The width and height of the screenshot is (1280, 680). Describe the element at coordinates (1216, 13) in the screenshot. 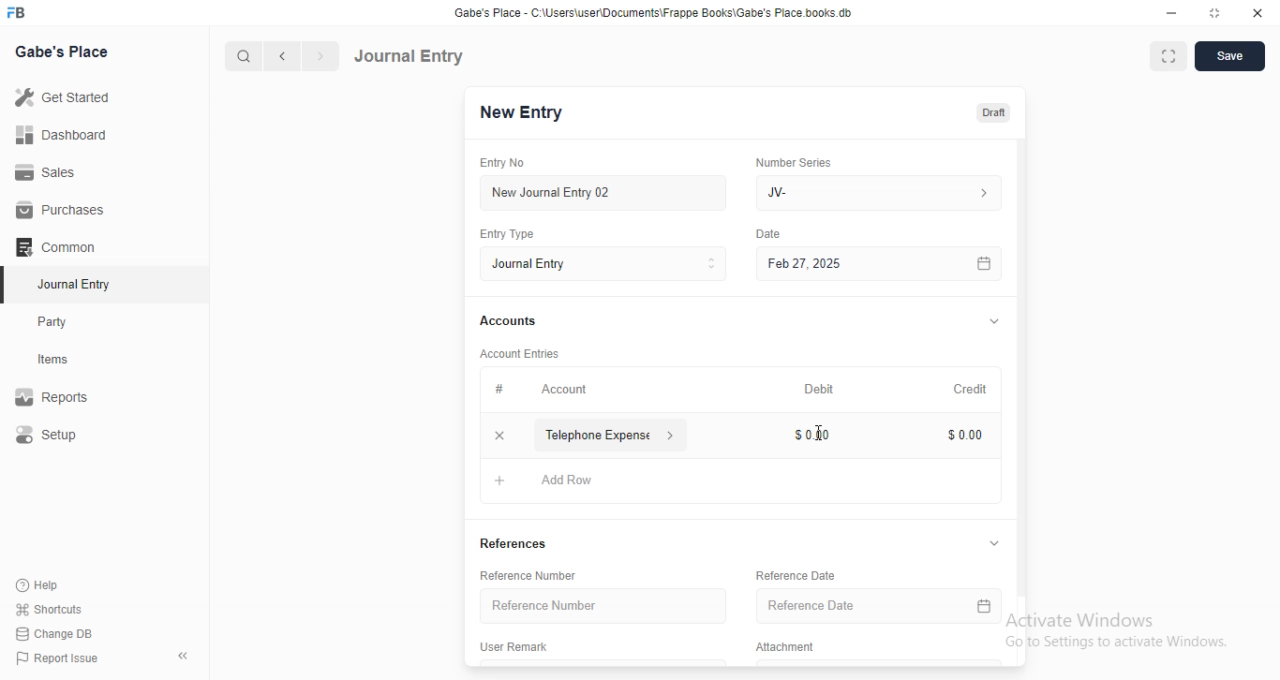

I see `Full screen` at that location.